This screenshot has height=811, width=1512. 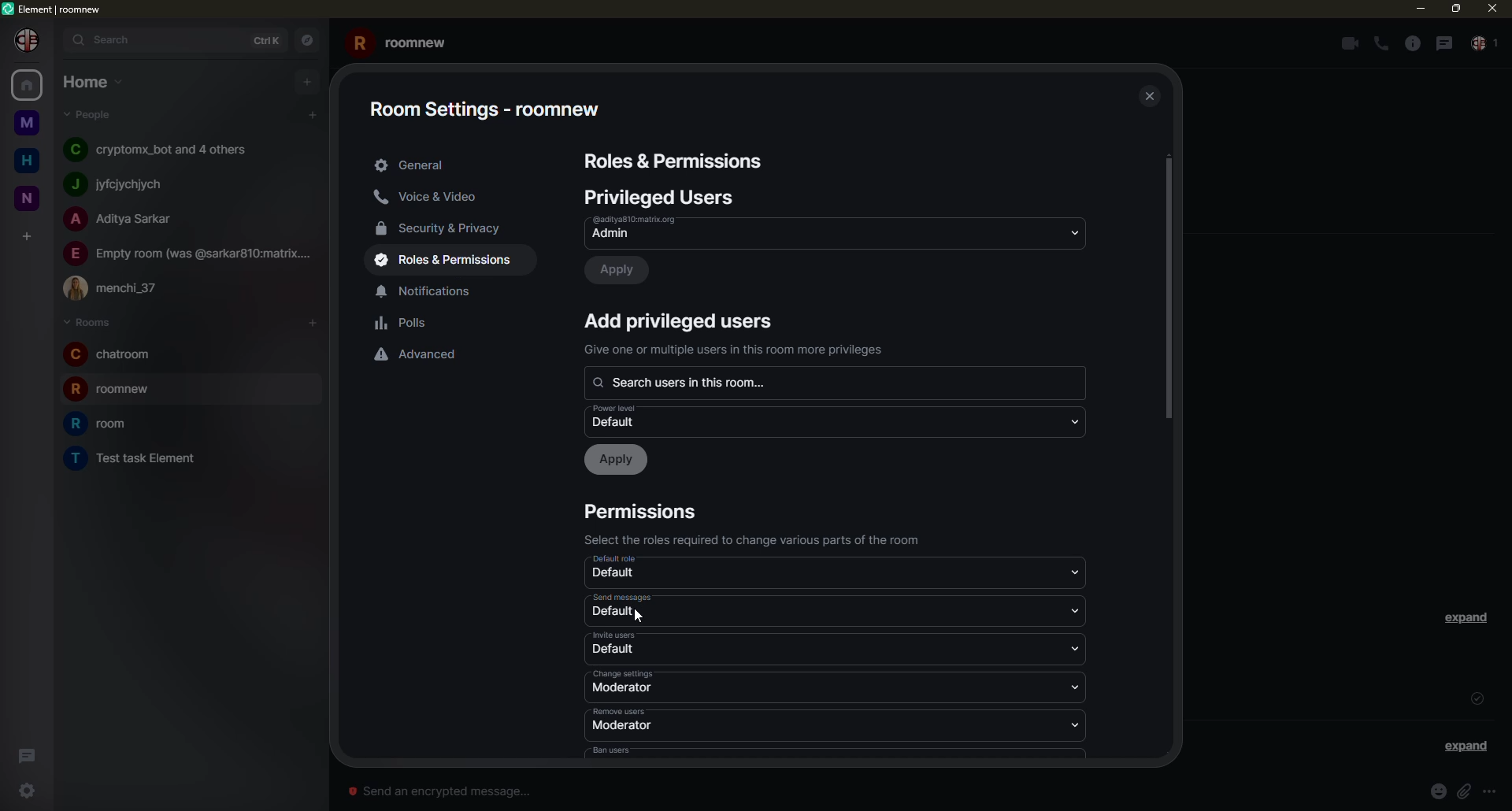 I want to click on people, so click(x=119, y=288).